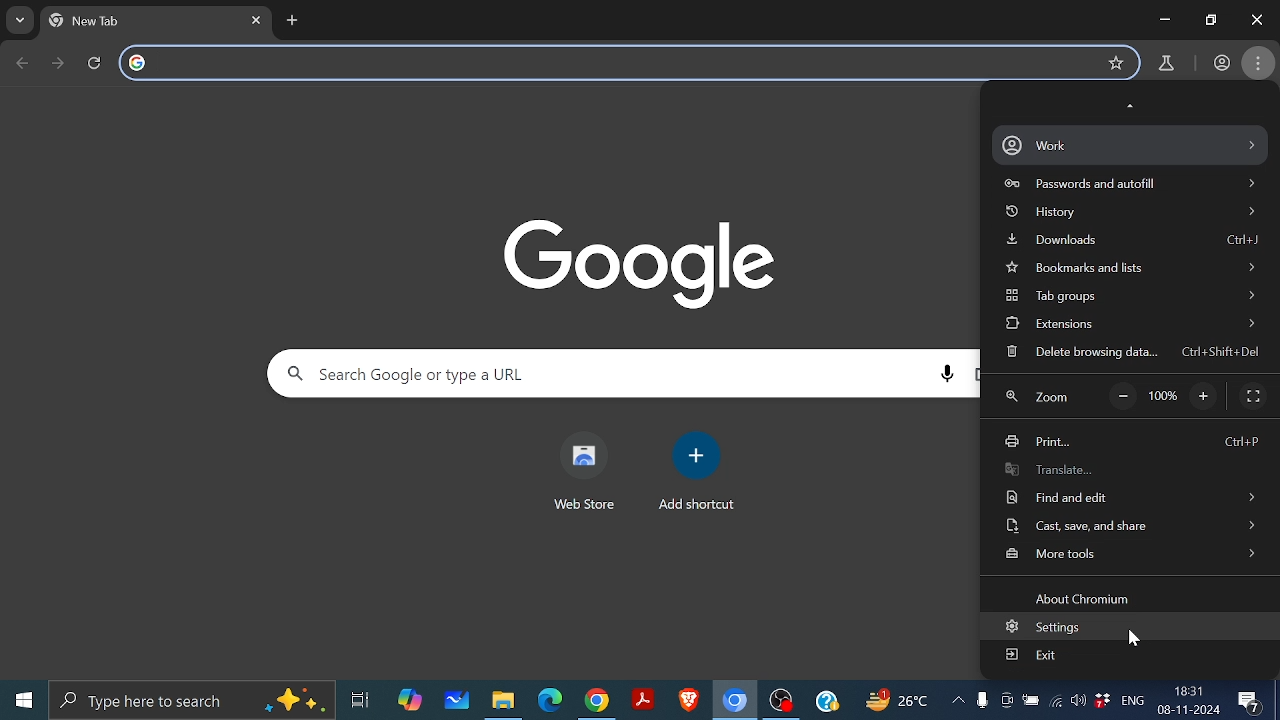 The image size is (1280, 720). Describe the element at coordinates (1253, 396) in the screenshot. I see `Full screen` at that location.